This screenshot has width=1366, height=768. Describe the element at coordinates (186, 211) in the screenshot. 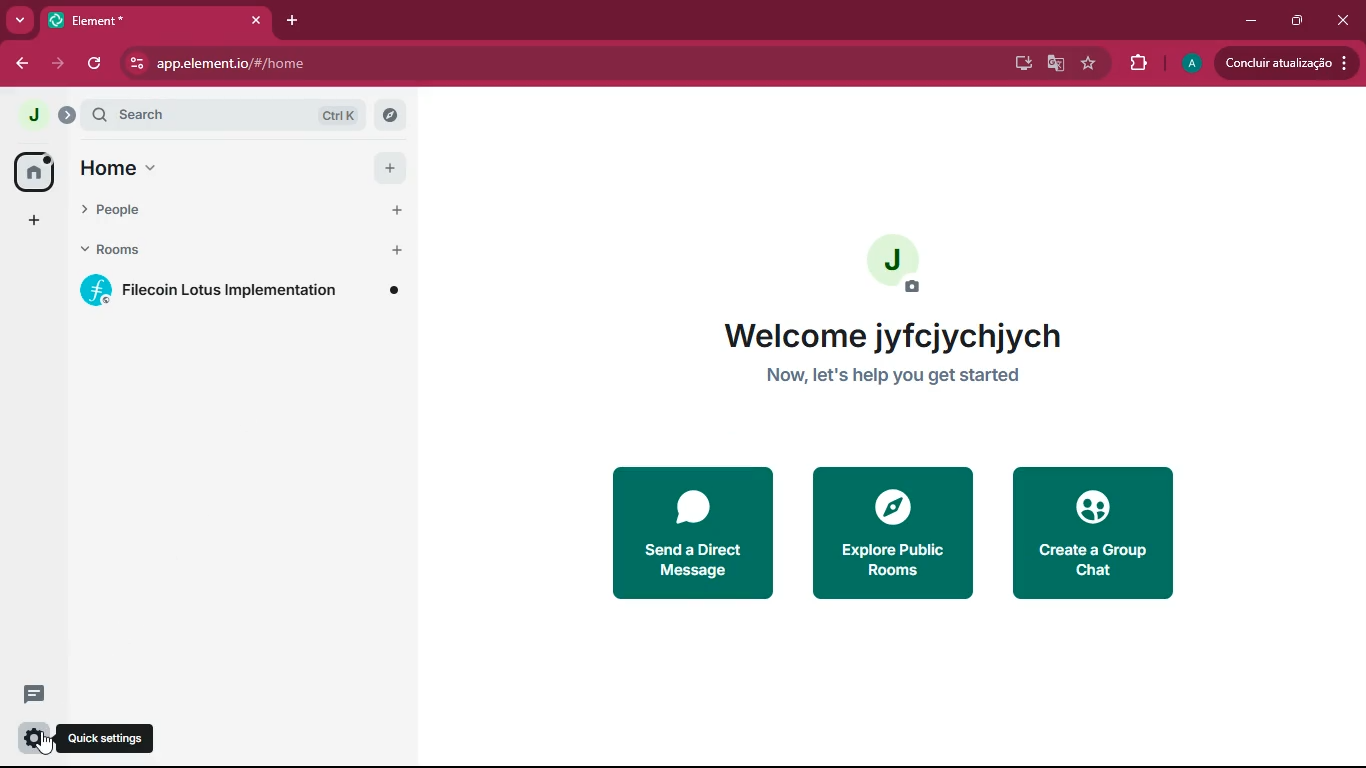

I see `people` at that location.